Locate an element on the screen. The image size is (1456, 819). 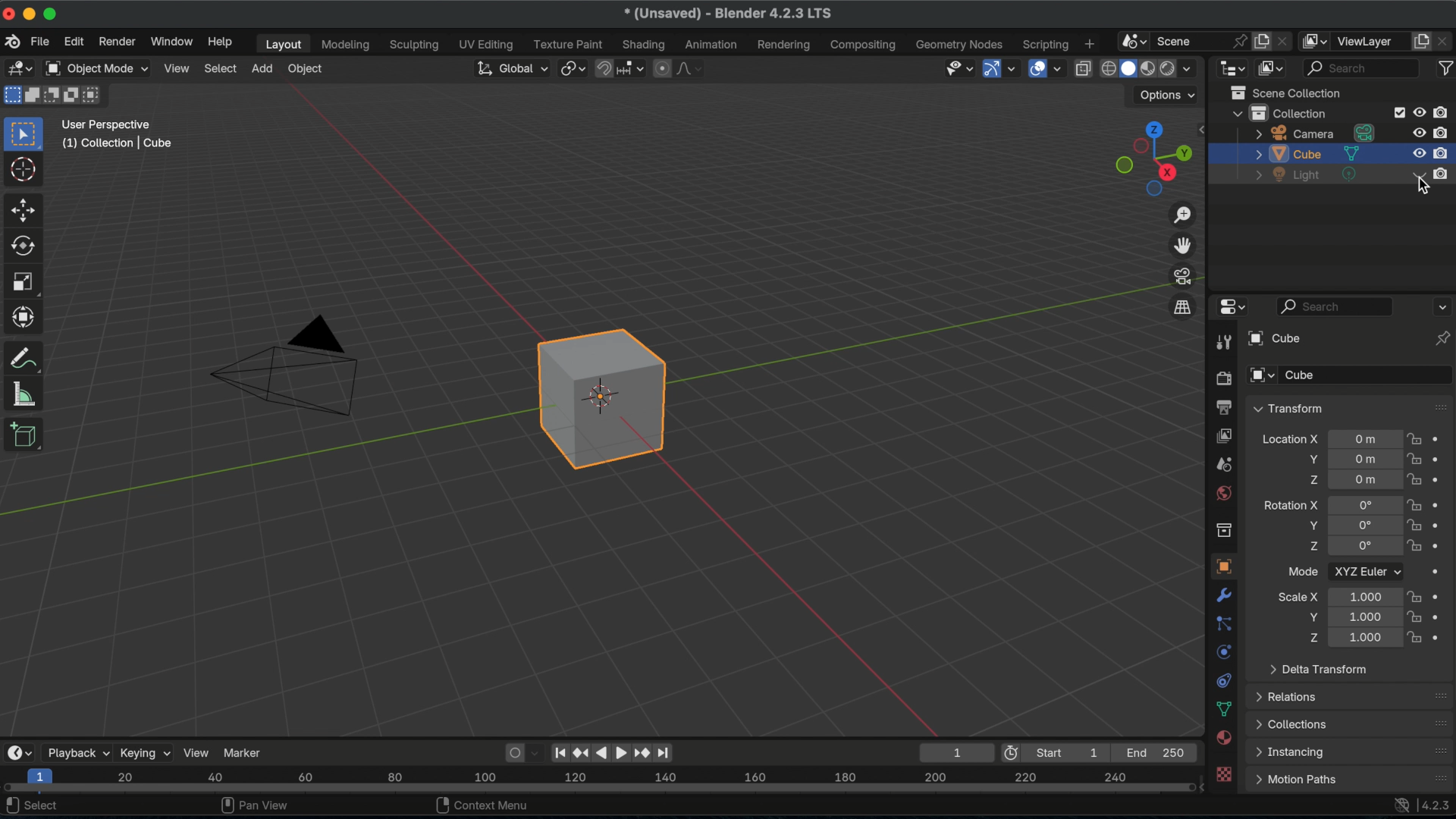
move is located at coordinates (25, 209).